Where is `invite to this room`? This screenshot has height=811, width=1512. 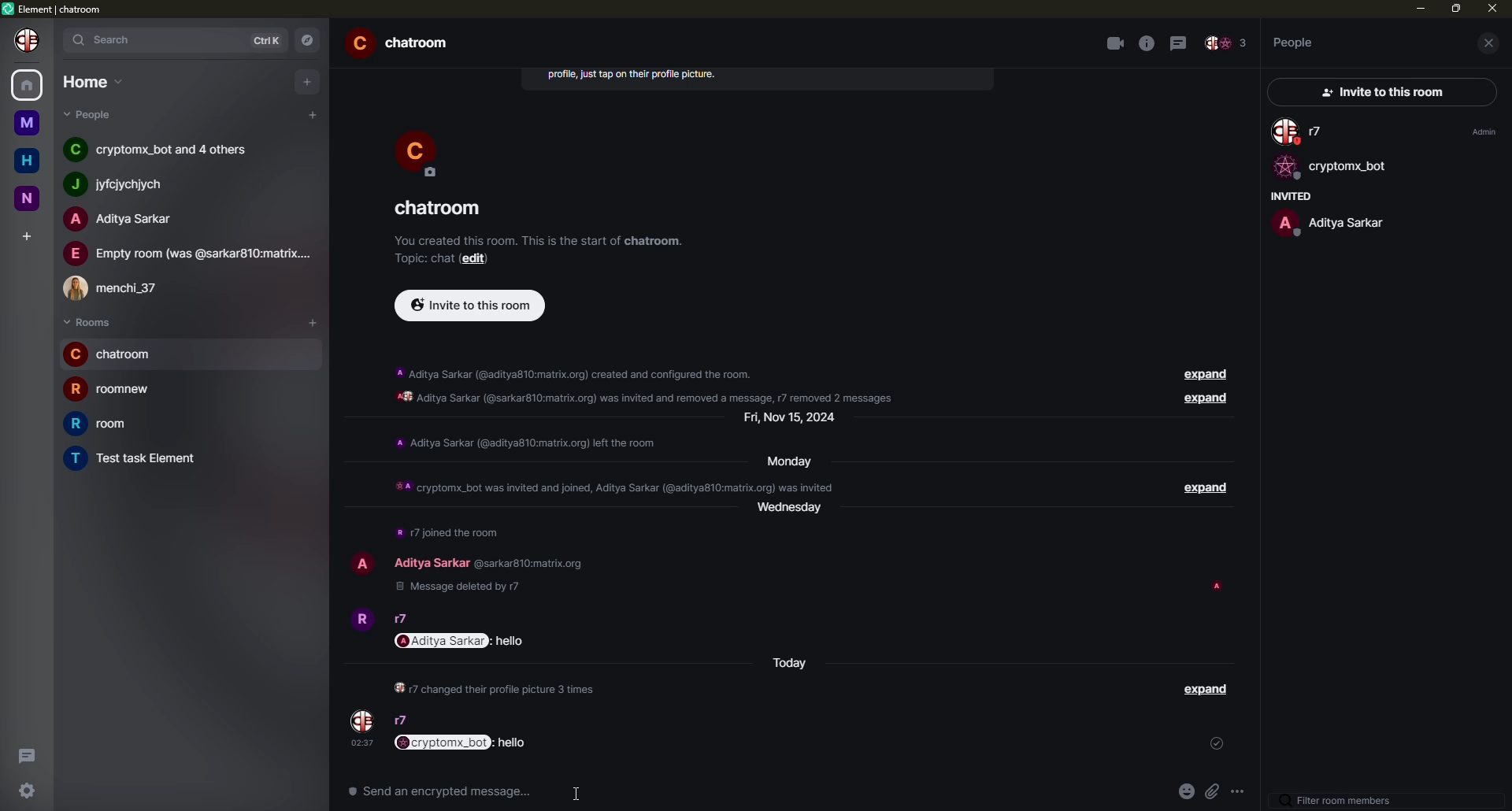 invite to this room is located at coordinates (470, 306).